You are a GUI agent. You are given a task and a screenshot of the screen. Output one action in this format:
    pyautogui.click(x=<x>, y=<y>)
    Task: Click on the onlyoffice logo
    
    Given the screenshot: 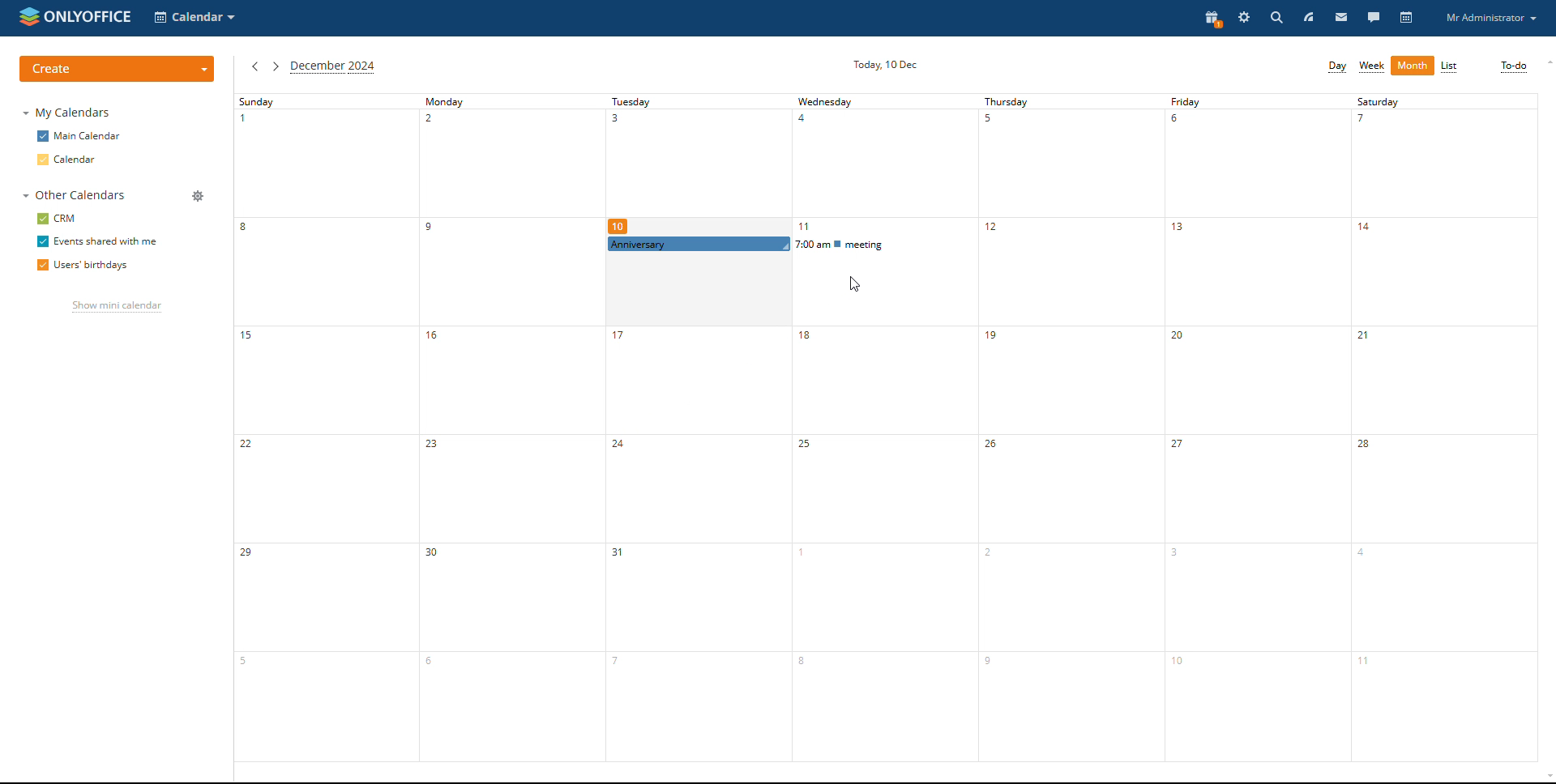 What is the action you would take?
    pyautogui.click(x=30, y=17)
    